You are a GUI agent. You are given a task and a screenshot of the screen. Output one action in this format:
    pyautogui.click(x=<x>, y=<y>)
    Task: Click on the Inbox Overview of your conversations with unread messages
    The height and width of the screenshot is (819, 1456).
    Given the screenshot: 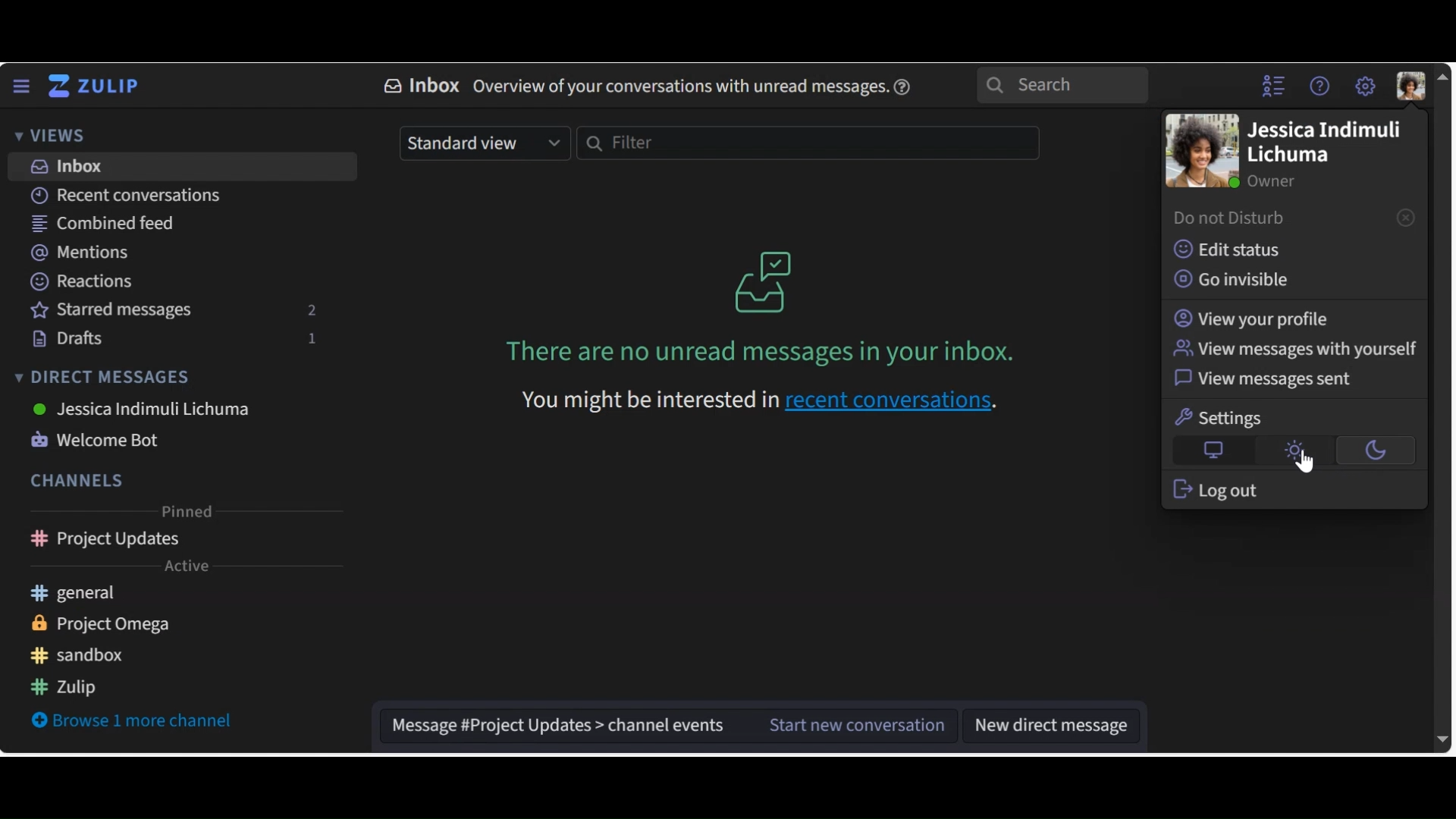 What is the action you would take?
    pyautogui.click(x=632, y=84)
    